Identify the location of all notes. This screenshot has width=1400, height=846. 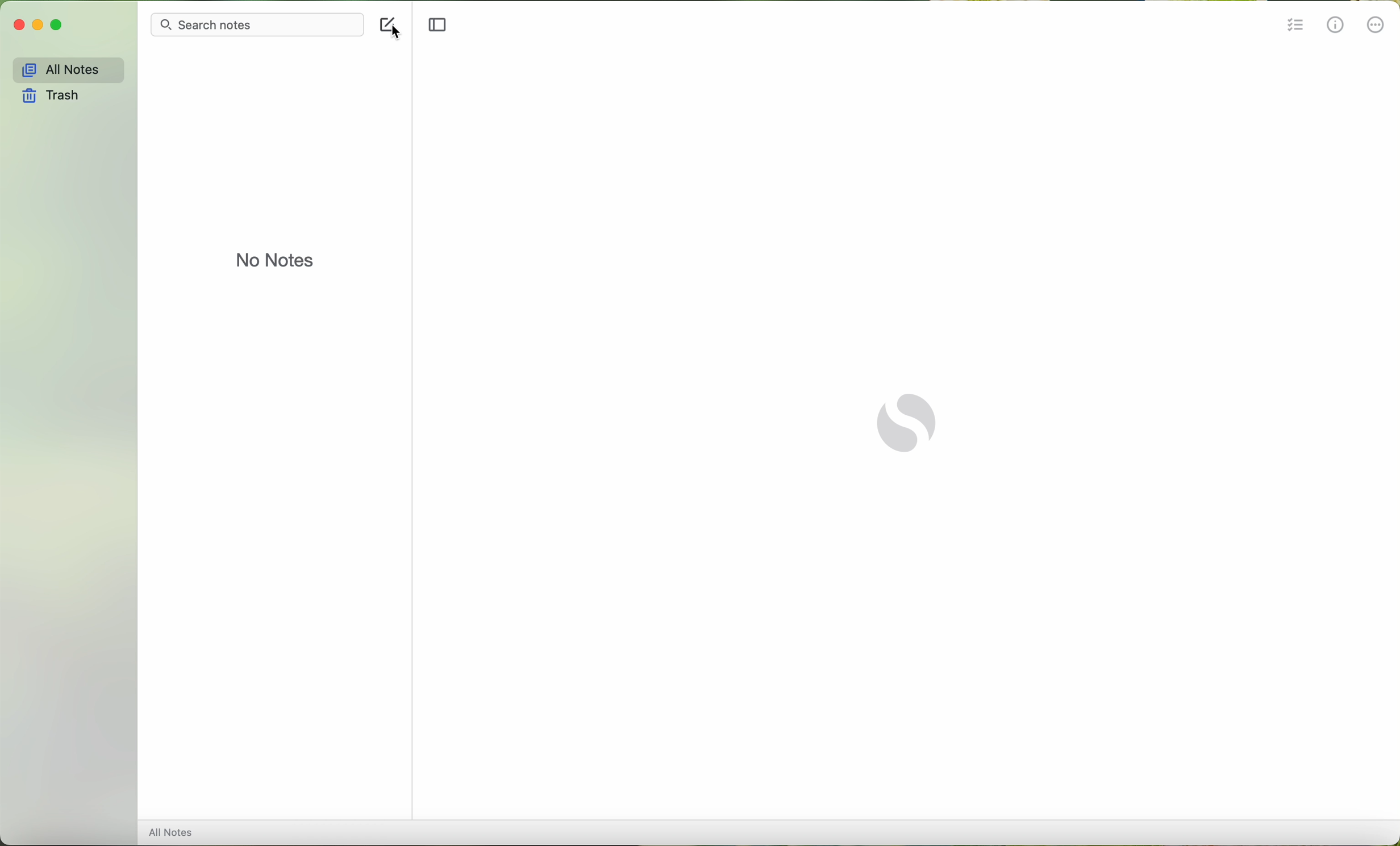
(175, 832).